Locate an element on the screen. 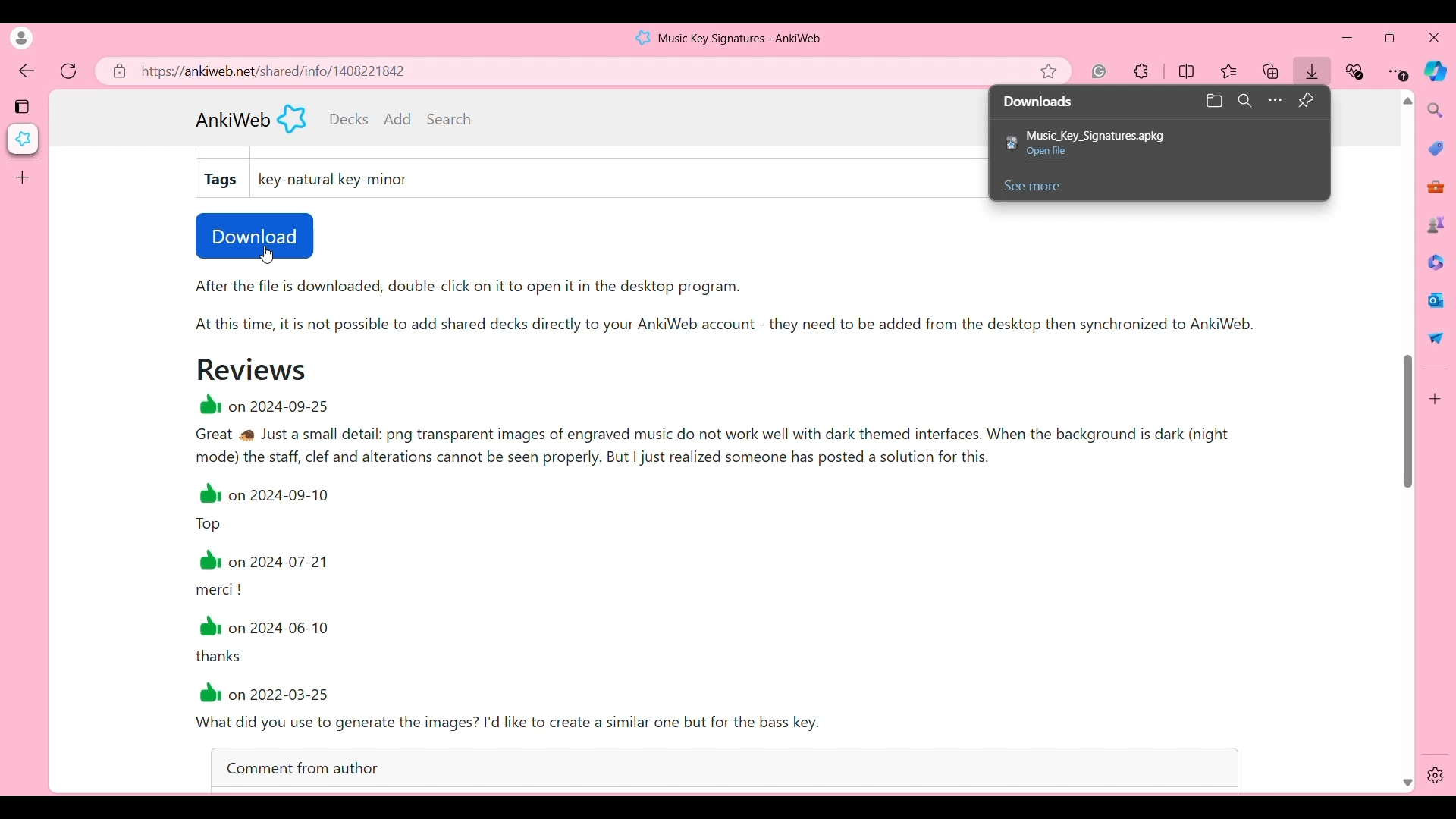 This screenshot has height=819, width=1456. Tools is located at coordinates (1436, 187).